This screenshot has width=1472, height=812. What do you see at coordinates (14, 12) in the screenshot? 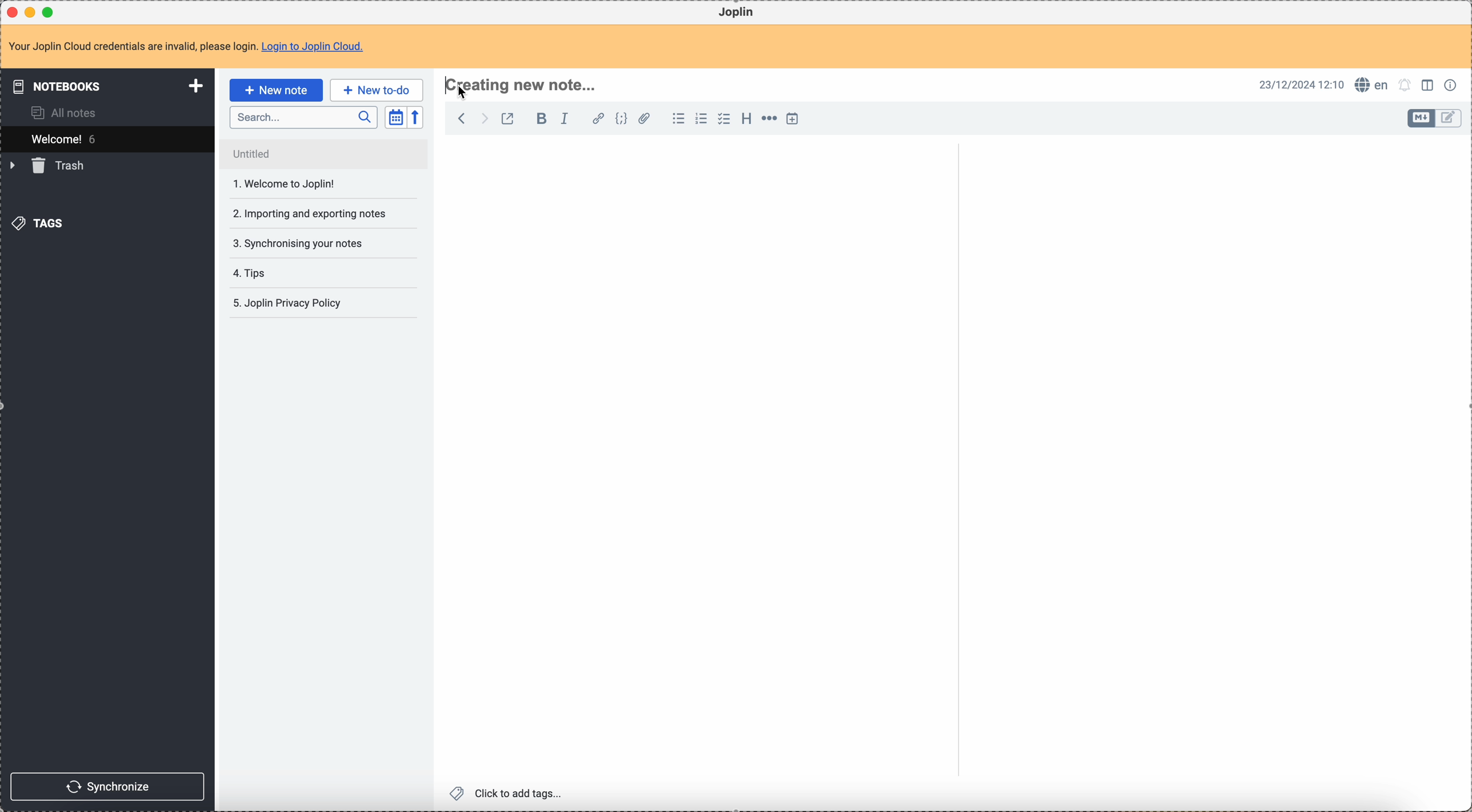
I see `close Joplin` at bounding box center [14, 12].